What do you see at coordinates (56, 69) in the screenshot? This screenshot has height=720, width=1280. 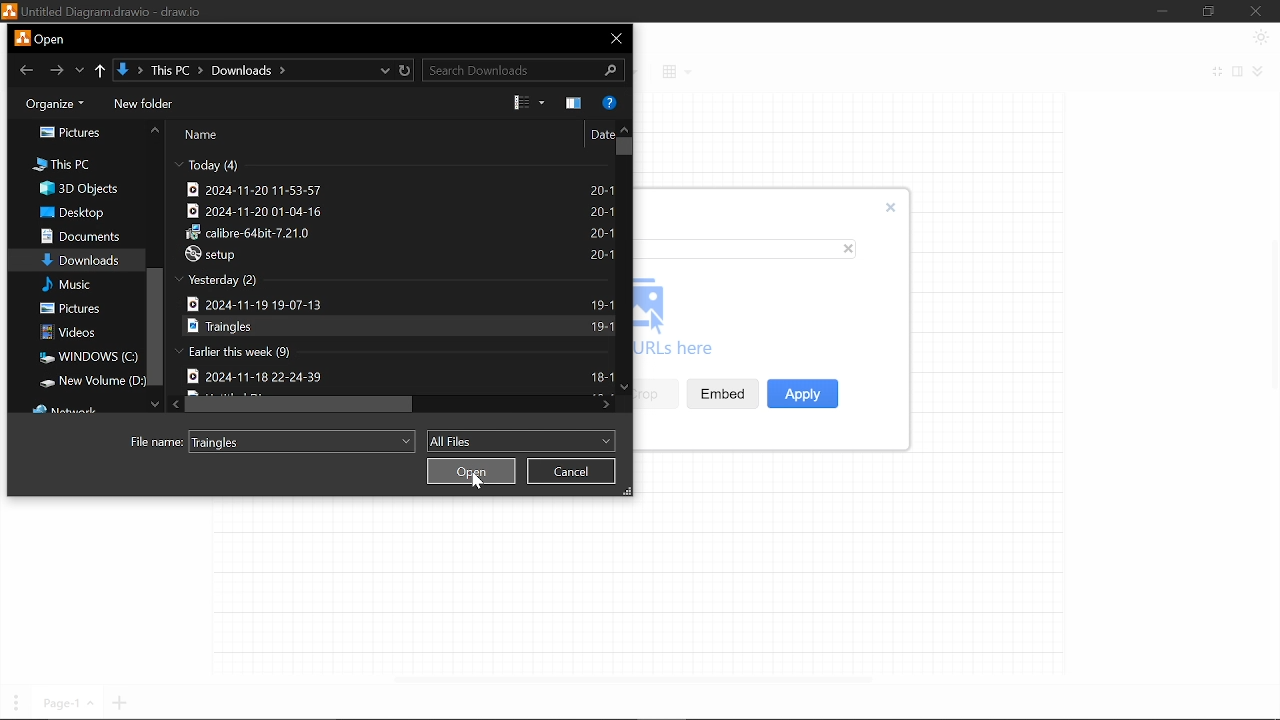 I see `Go forward` at bounding box center [56, 69].